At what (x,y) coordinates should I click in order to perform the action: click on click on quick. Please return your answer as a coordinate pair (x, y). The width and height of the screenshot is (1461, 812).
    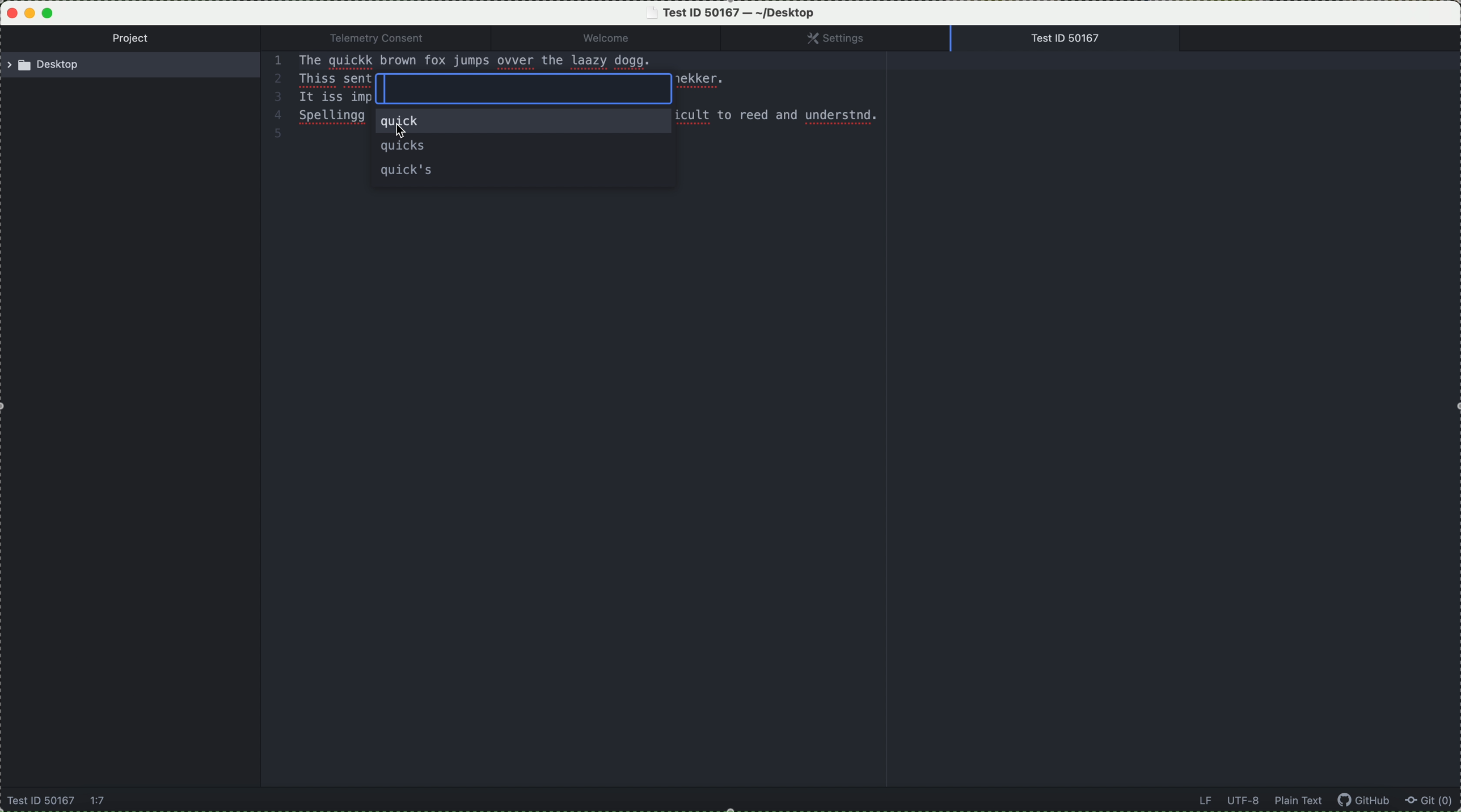
    Looking at the image, I should click on (523, 124).